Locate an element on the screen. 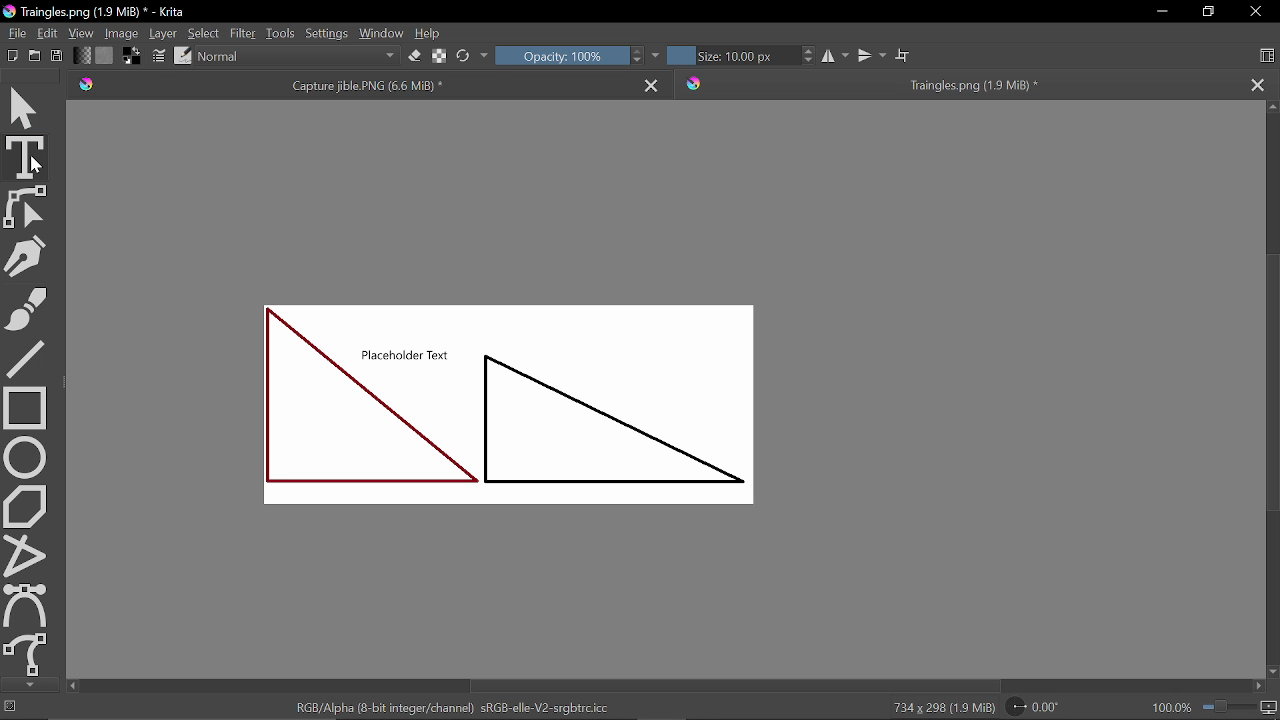 This screenshot has width=1280, height=720. Line tool is located at coordinates (25, 360).